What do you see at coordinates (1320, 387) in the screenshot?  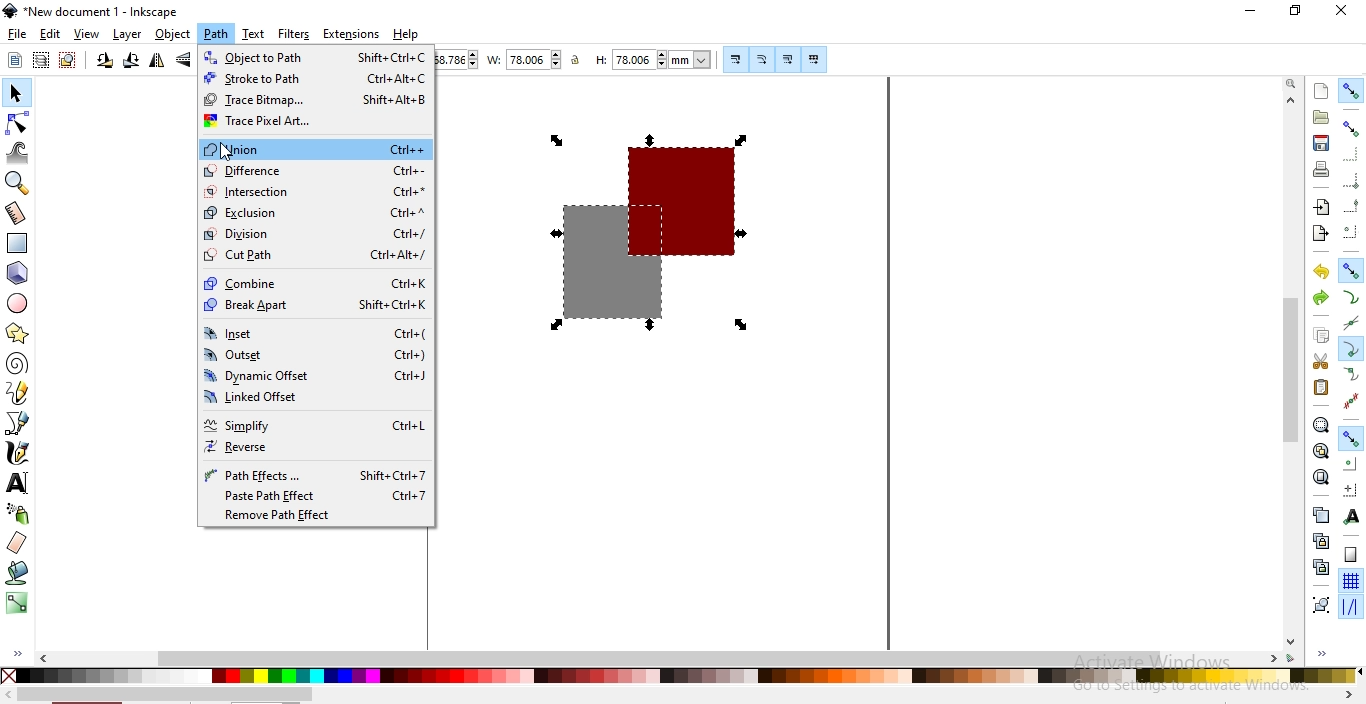 I see `paste` at bounding box center [1320, 387].